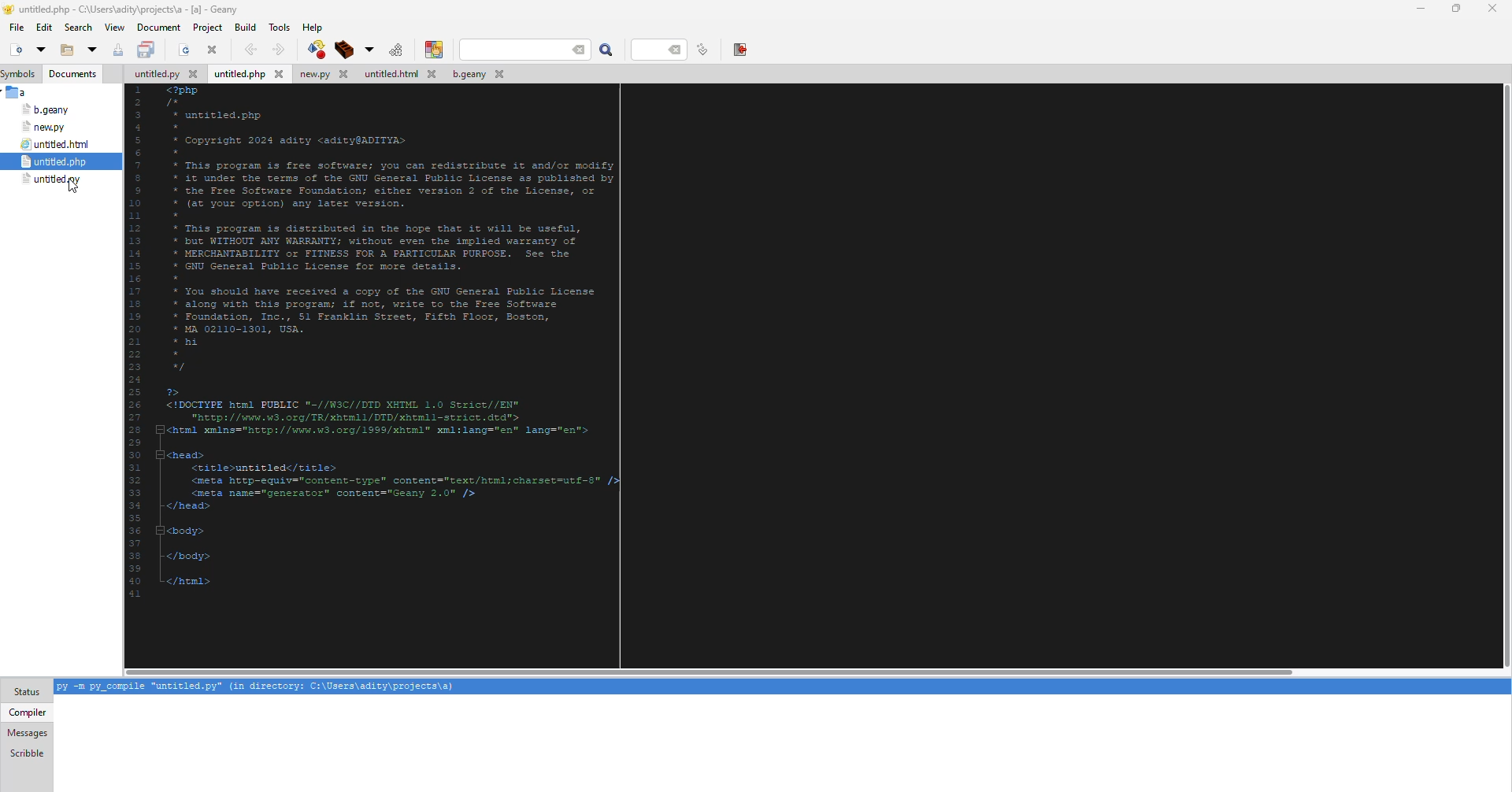 Image resolution: width=1512 pixels, height=792 pixels. What do you see at coordinates (54, 178) in the screenshot?
I see `untitled.py` at bounding box center [54, 178].